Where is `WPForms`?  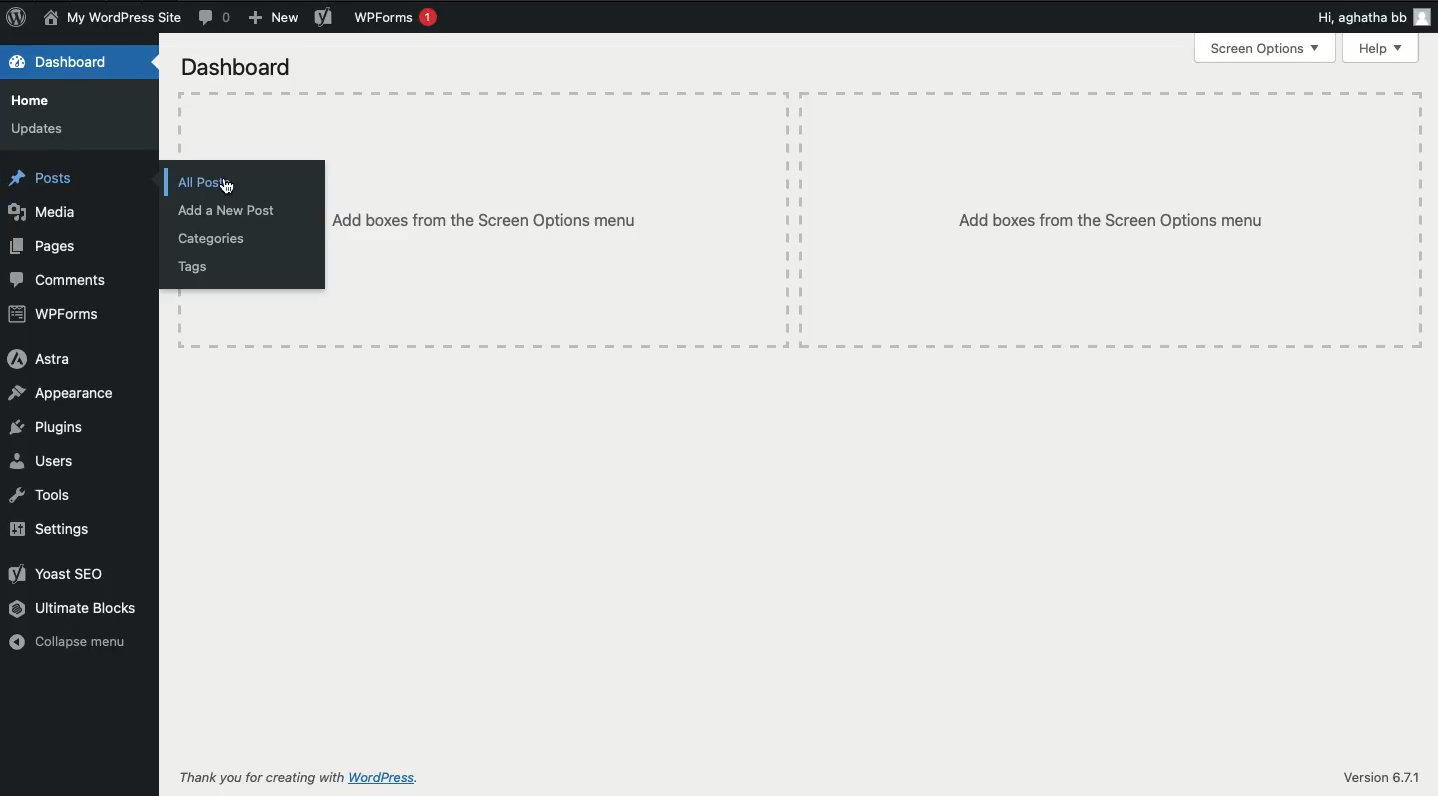
WPForms is located at coordinates (395, 19).